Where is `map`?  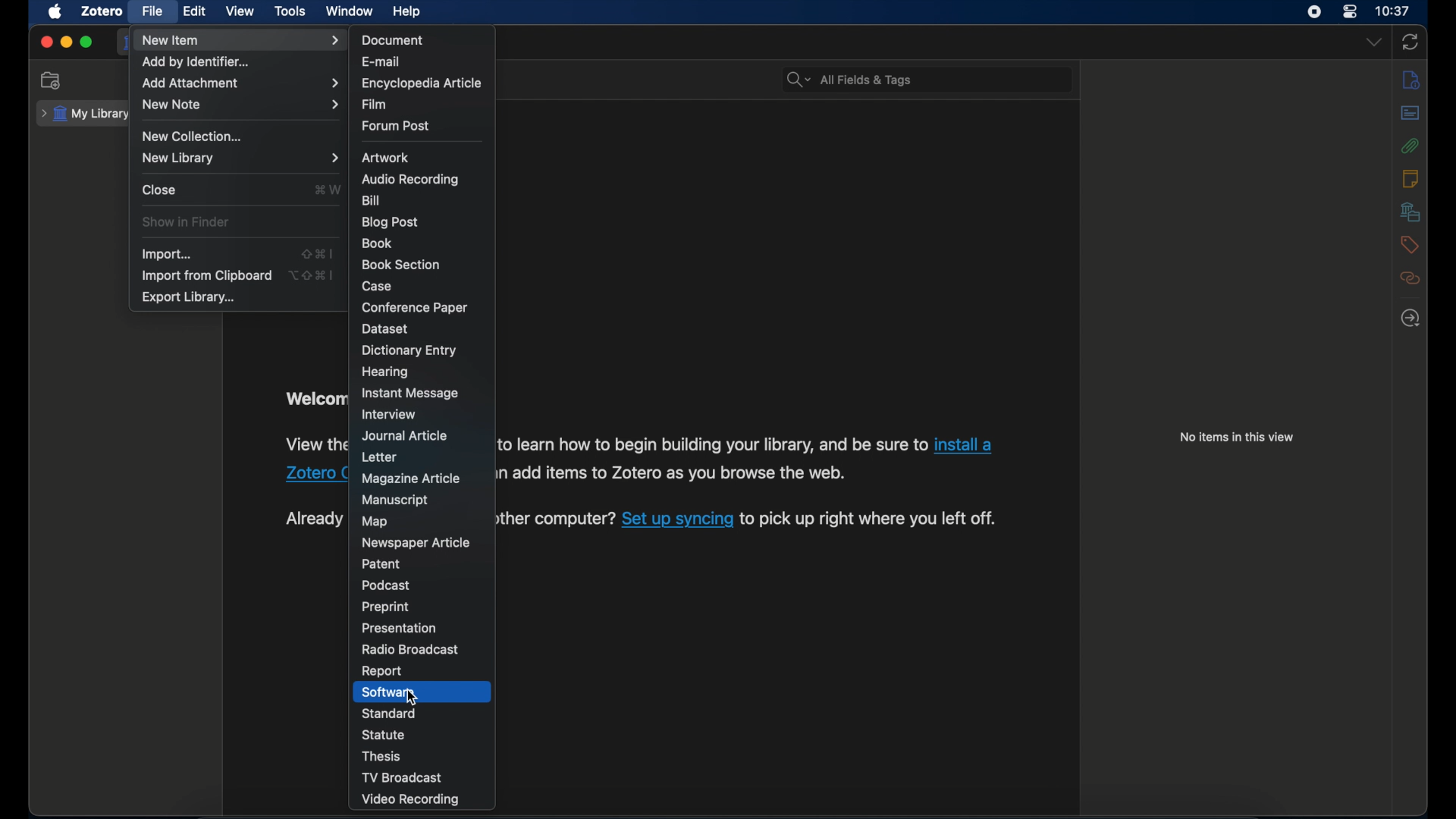
map is located at coordinates (374, 521).